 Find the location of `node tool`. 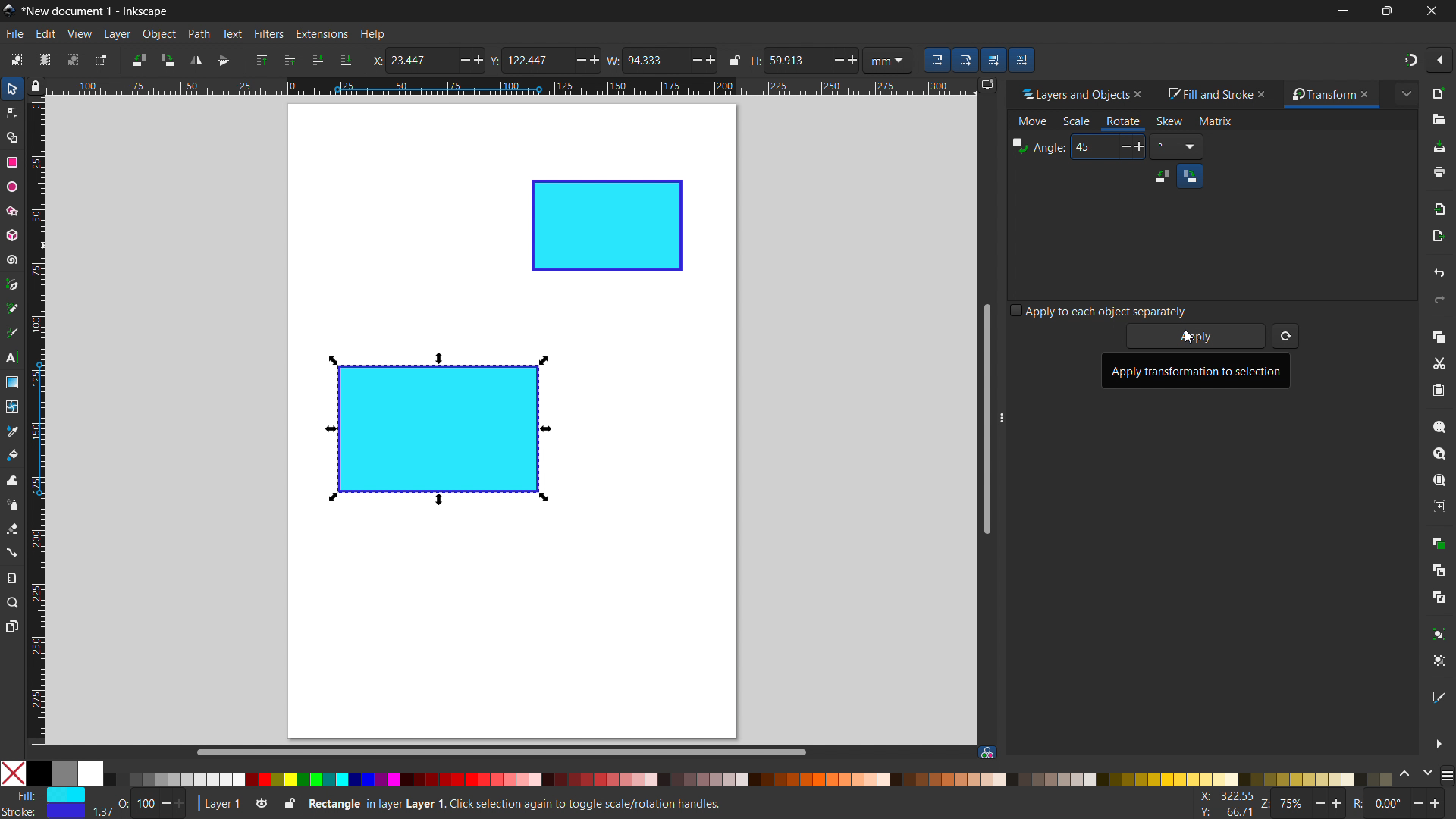

node tool is located at coordinates (11, 111).